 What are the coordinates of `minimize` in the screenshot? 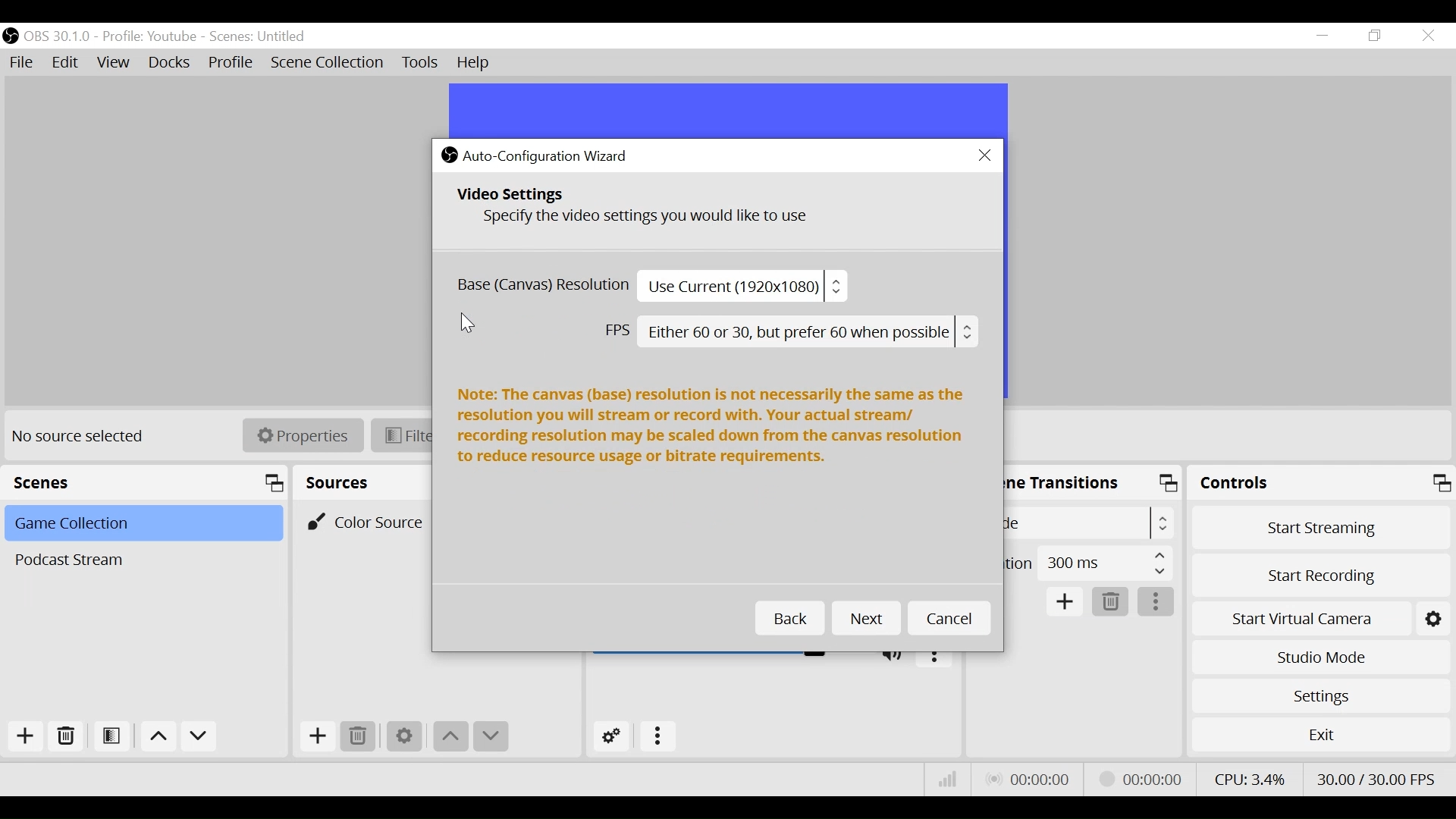 It's located at (1321, 35).